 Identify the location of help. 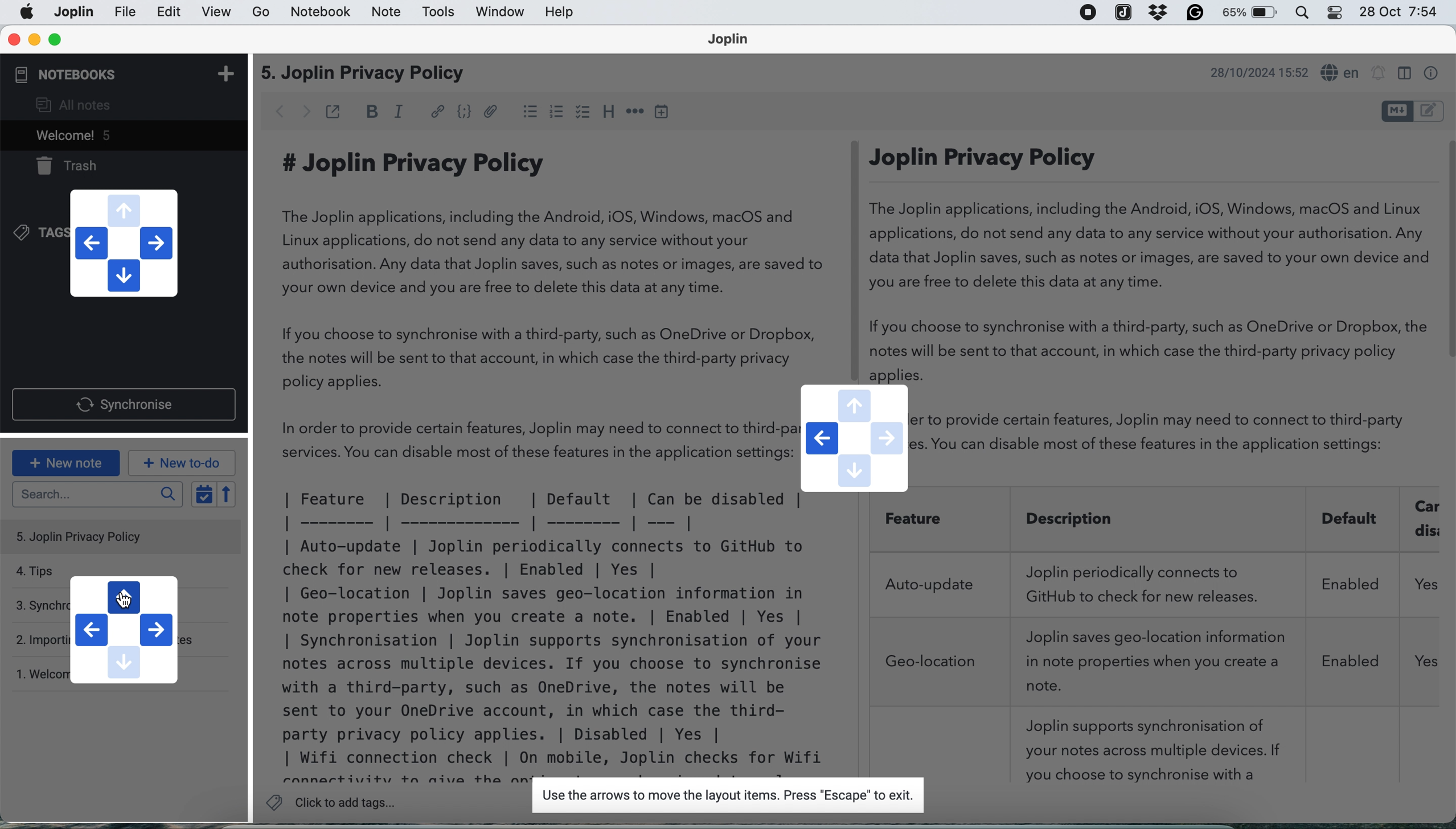
(561, 13).